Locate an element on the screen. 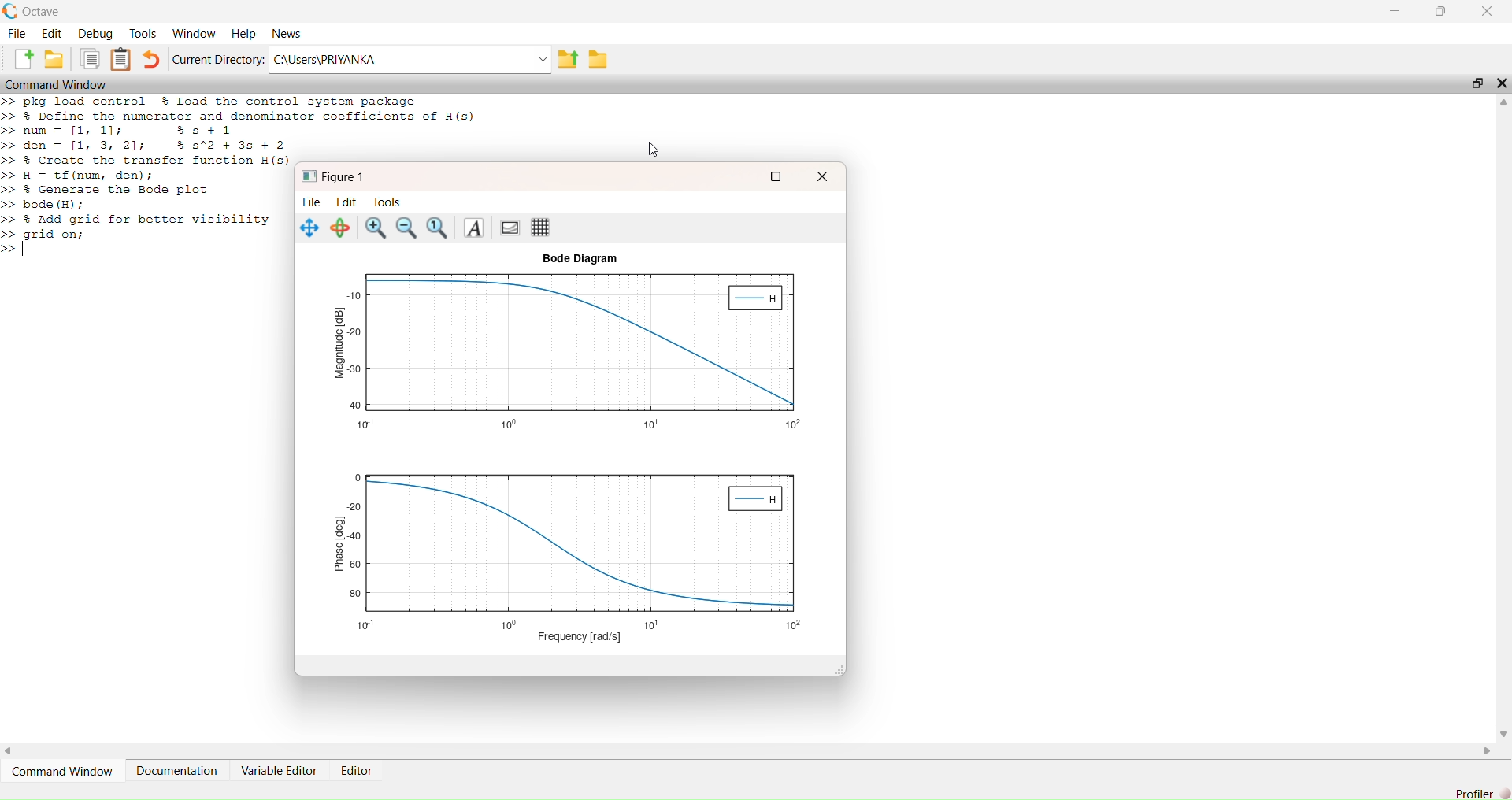 Image resolution: width=1512 pixels, height=800 pixels. Edit is located at coordinates (52, 33).